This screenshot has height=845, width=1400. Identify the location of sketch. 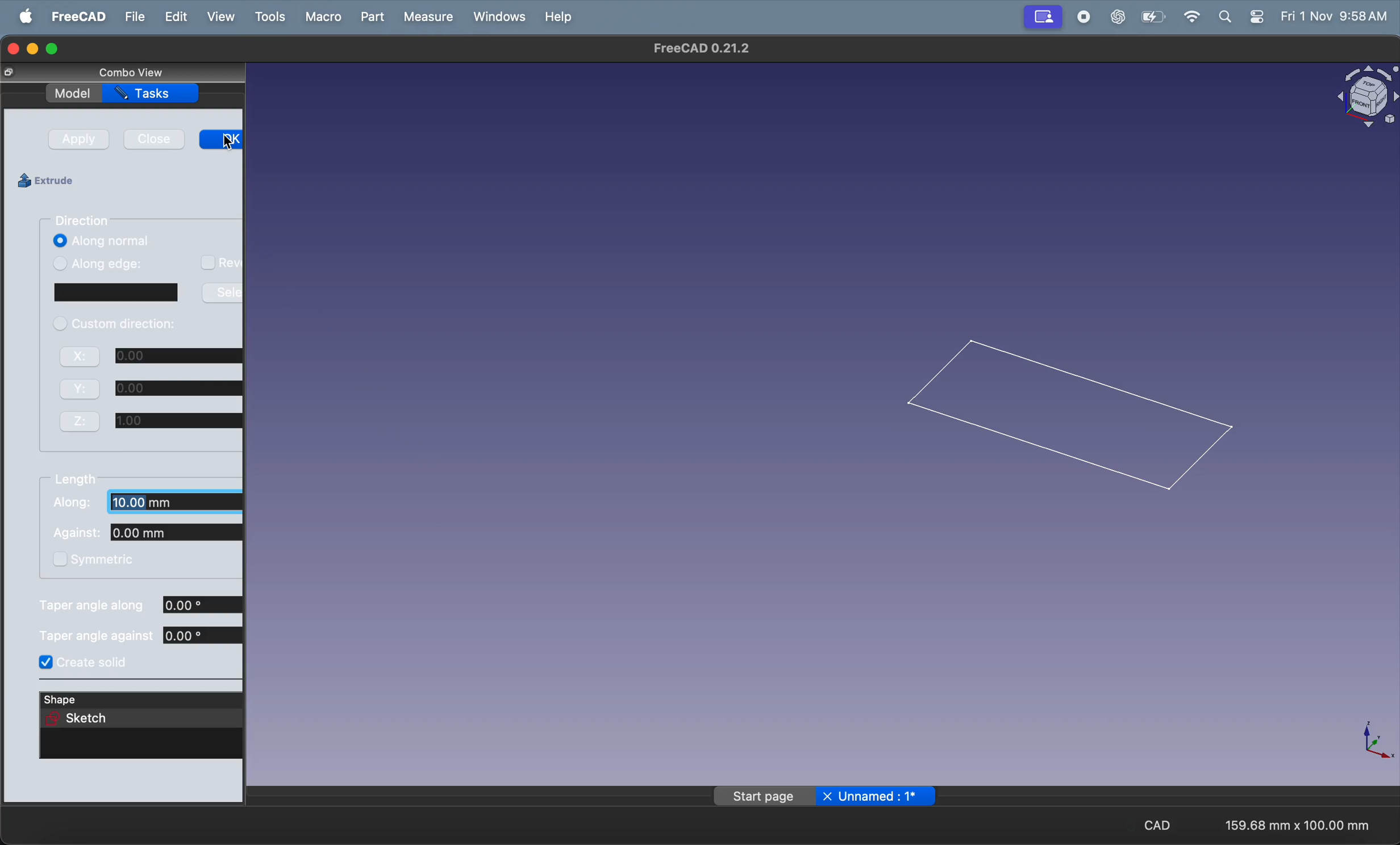
(90, 718).